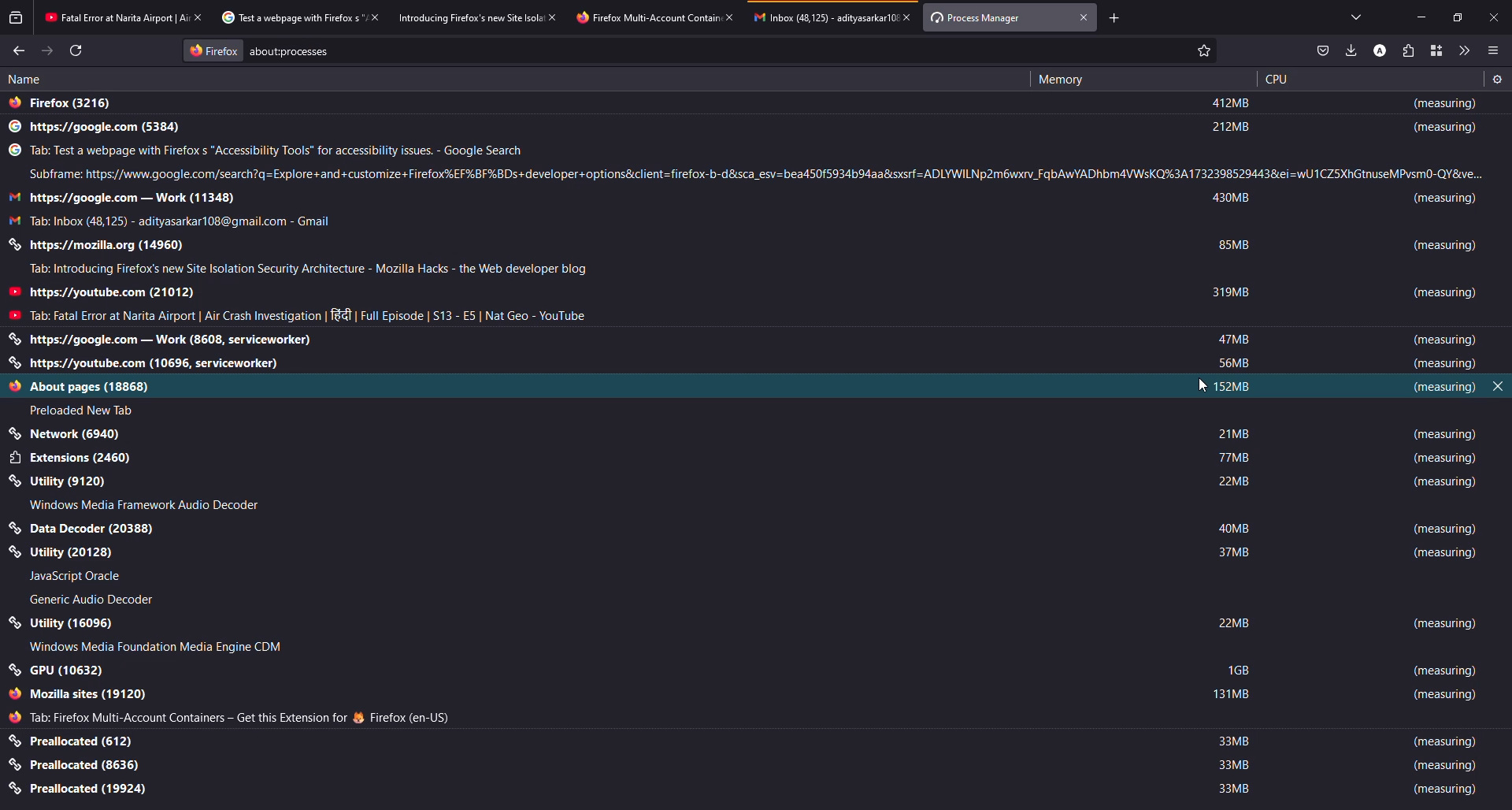 The height and width of the screenshot is (810, 1512). What do you see at coordinates (235, 717) in the screenshot?
I see `Tab: Firefox Multi account containers get this extension for Firefox (en-us)` at bounding box center [235, 717].